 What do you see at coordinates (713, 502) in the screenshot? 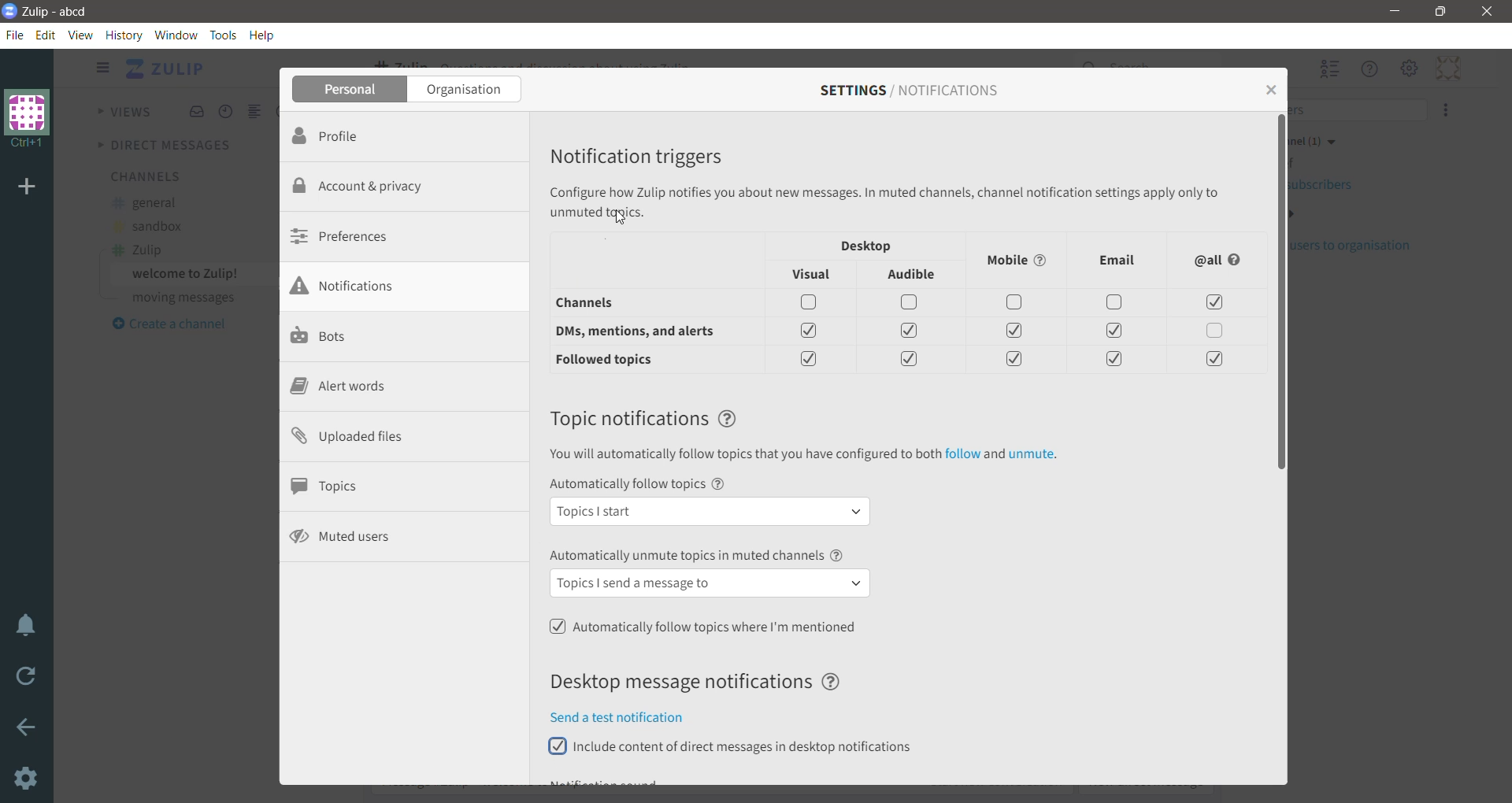
I see `Set 'Automatically follow topics'` at bounding box center [713, 502].